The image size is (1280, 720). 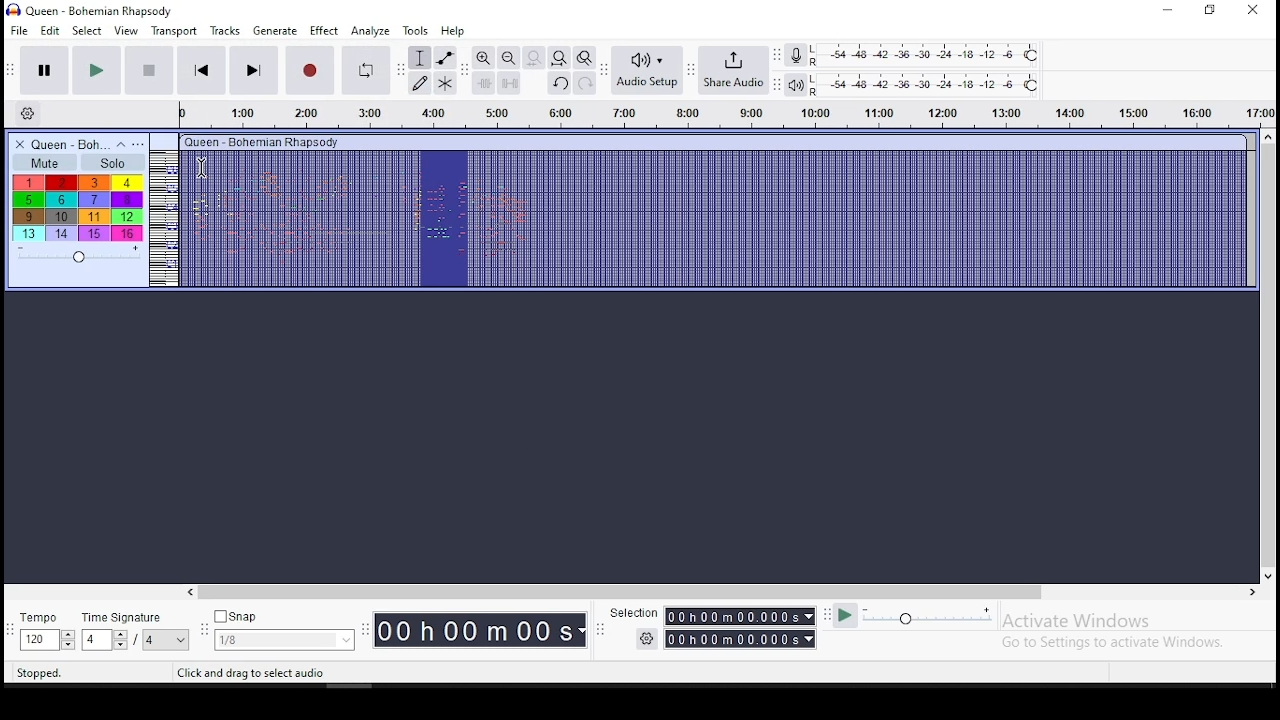 I want to click on view, so click(x=127, y=31).